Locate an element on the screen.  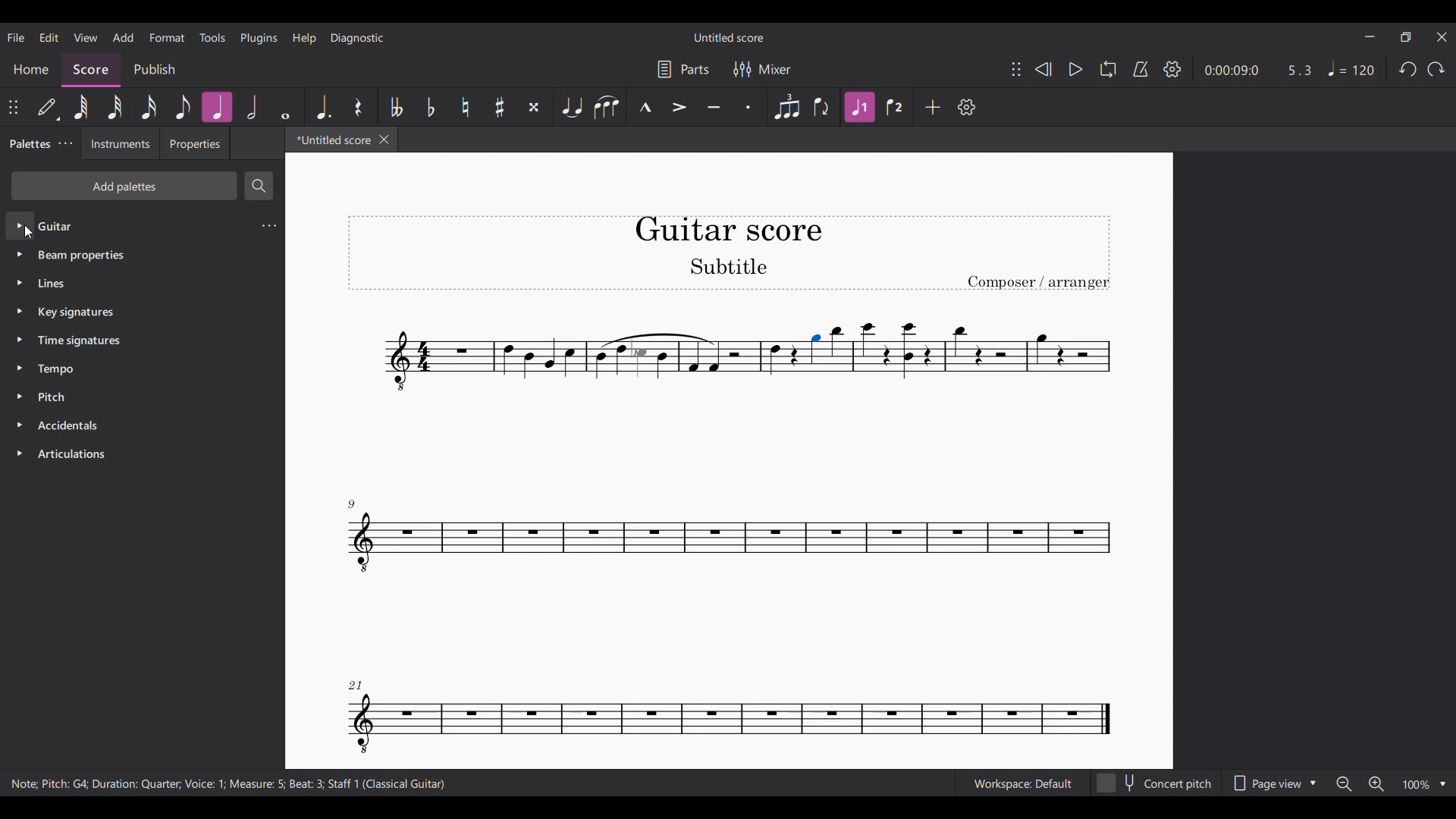
8th note is located at coordinates (183, 107).